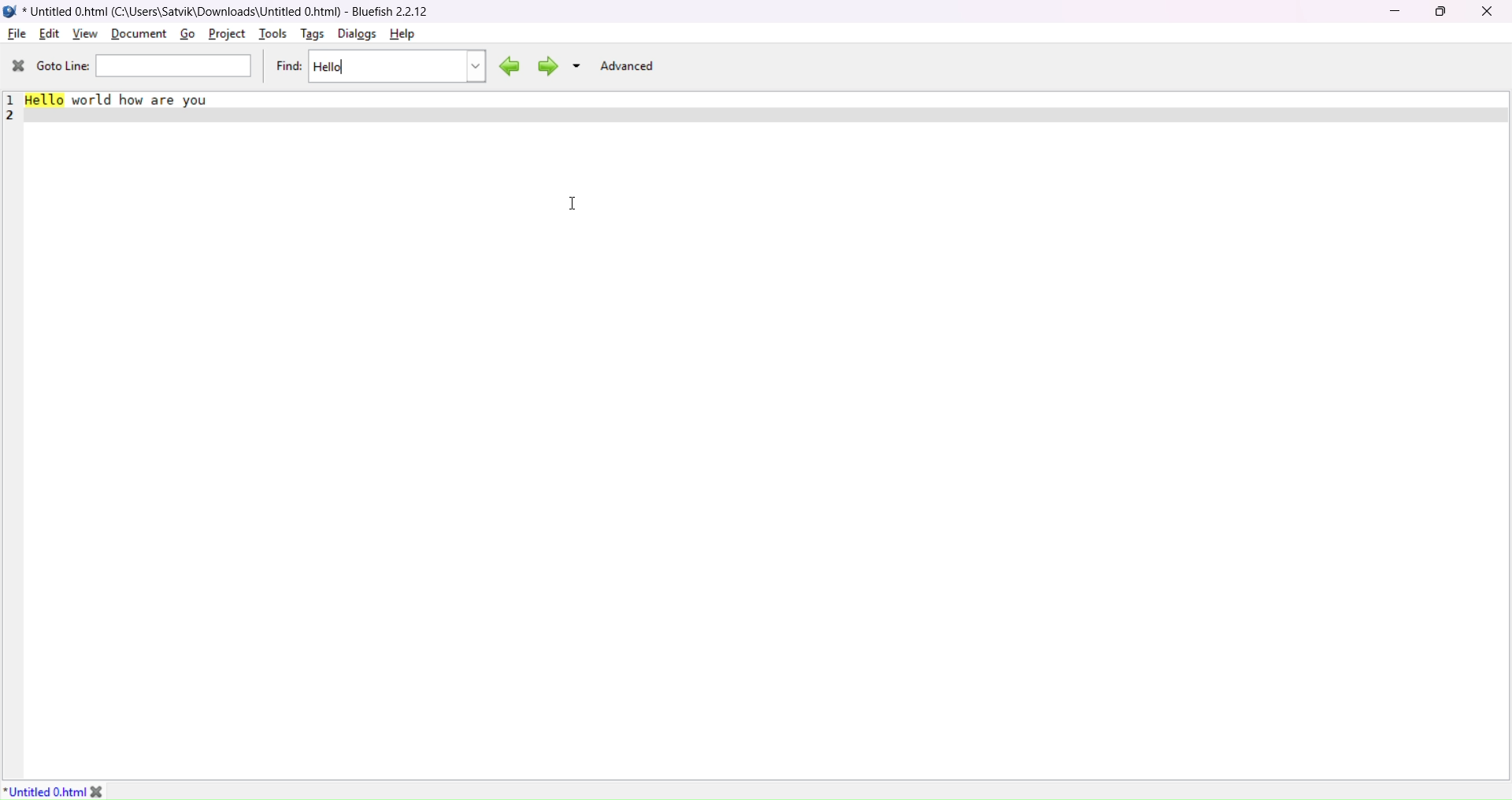 The image size is (1512, 800). What do you see at coordinates (271, 36) in the screenshot?
I see `tools` at bounding box center [271, 36].